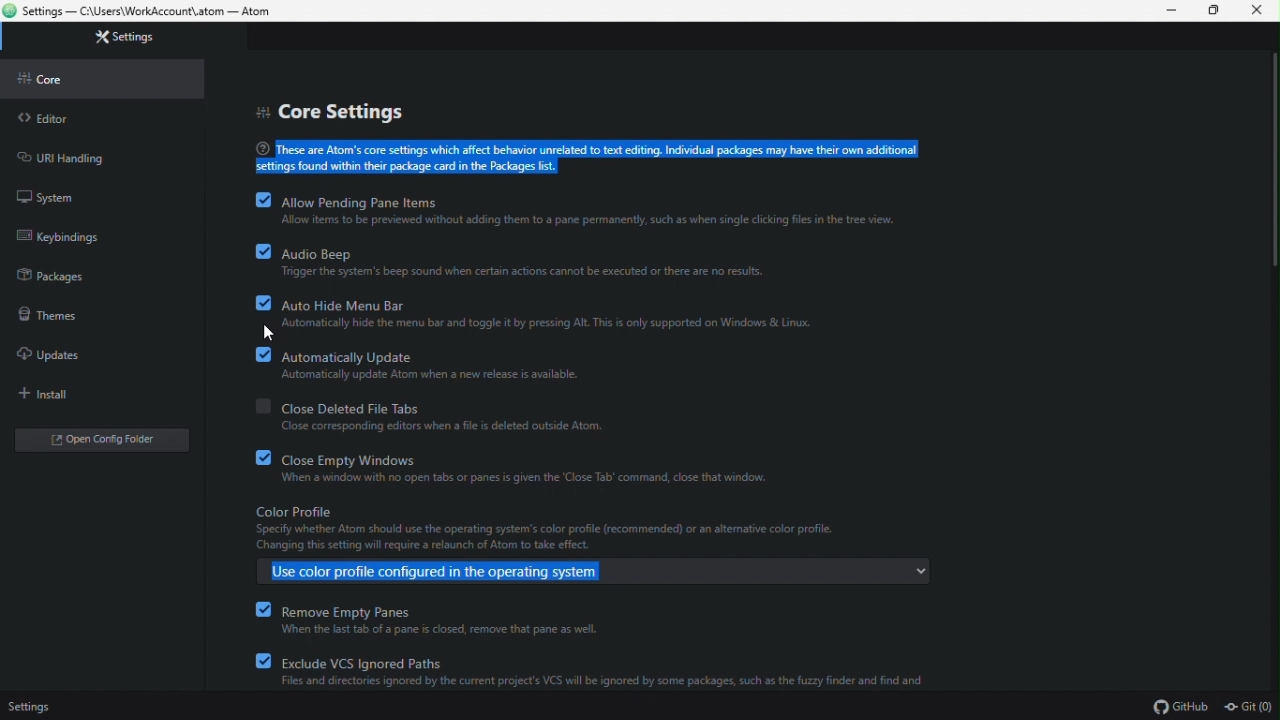  Describe the element at coordinates (45, 708) in the screenshot. I see `settings` at that location.